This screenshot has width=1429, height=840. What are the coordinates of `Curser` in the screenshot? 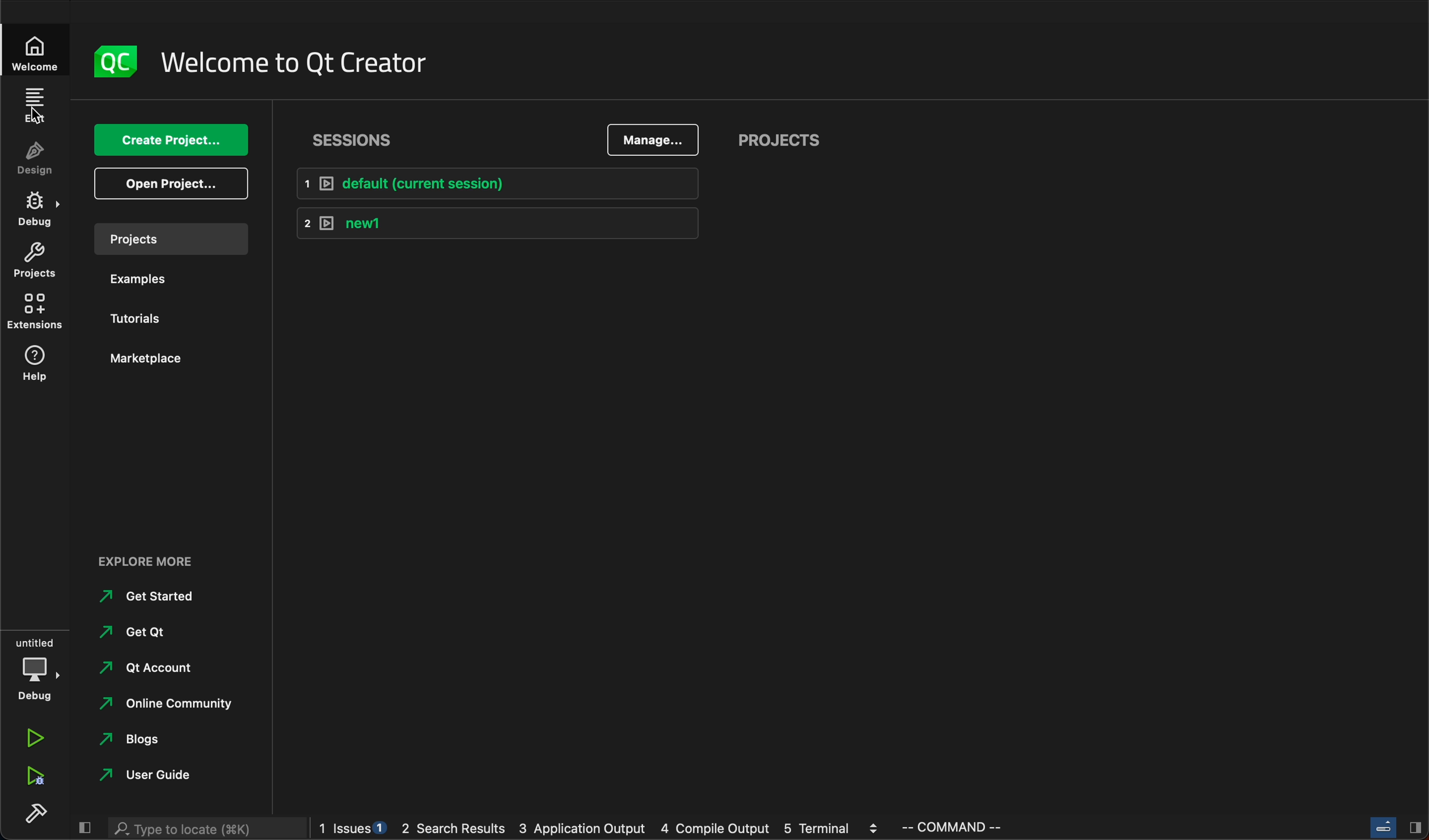 It's located at (40, 114).